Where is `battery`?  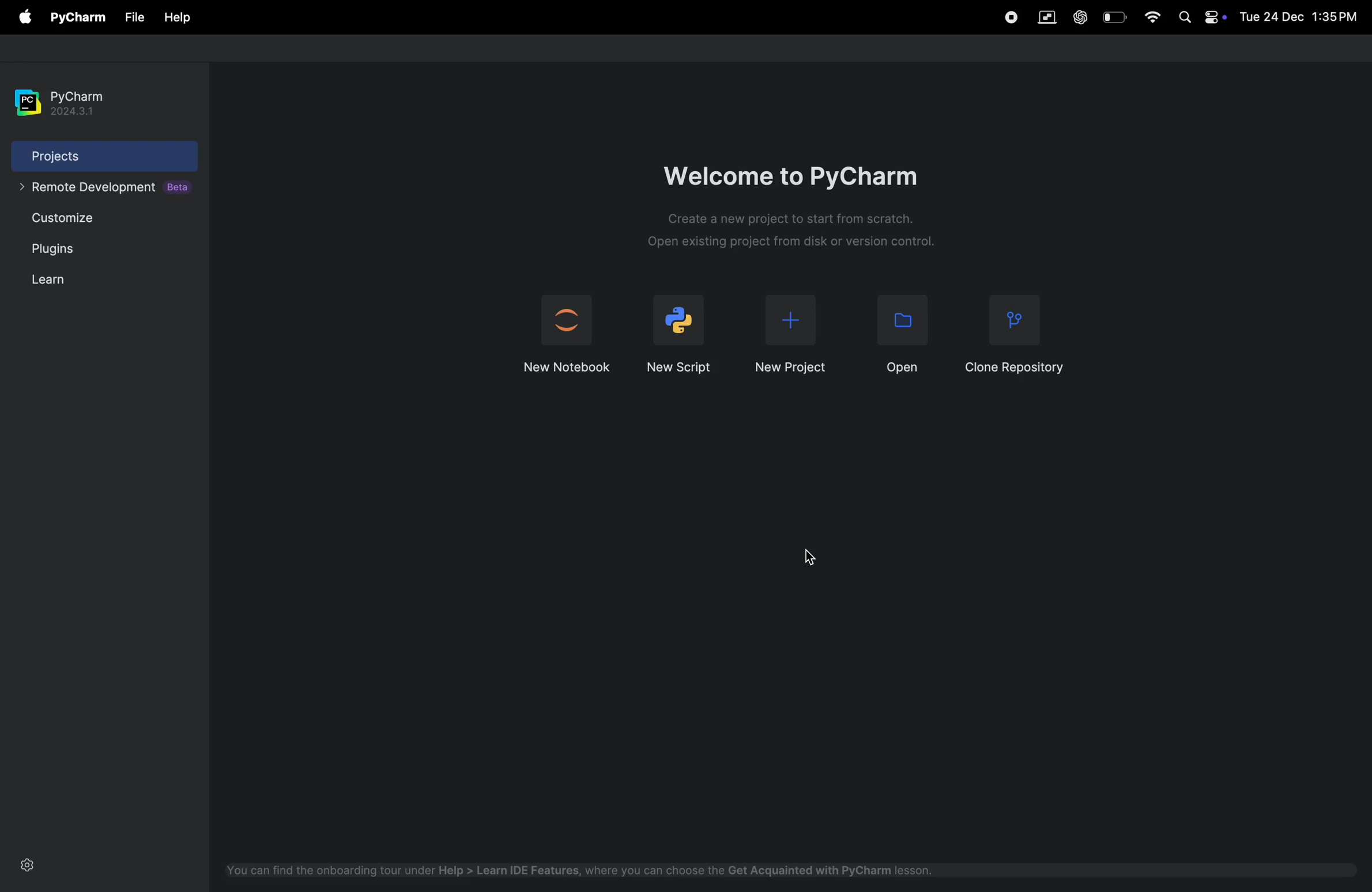
battery is located at coordinates (1117, 17).